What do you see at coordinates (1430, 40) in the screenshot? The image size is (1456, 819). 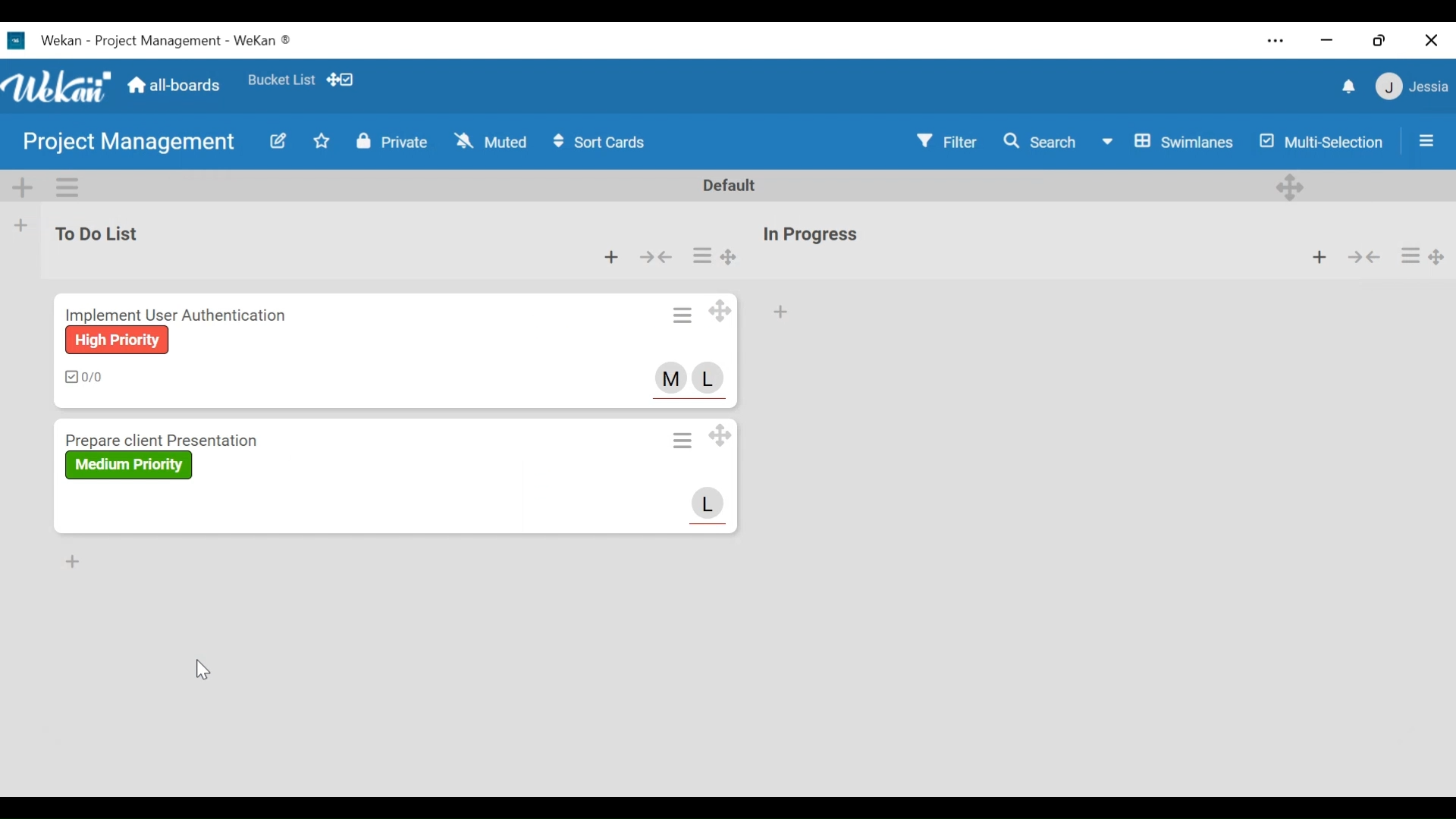 I see `Close` at bounding box center [1430, 40].